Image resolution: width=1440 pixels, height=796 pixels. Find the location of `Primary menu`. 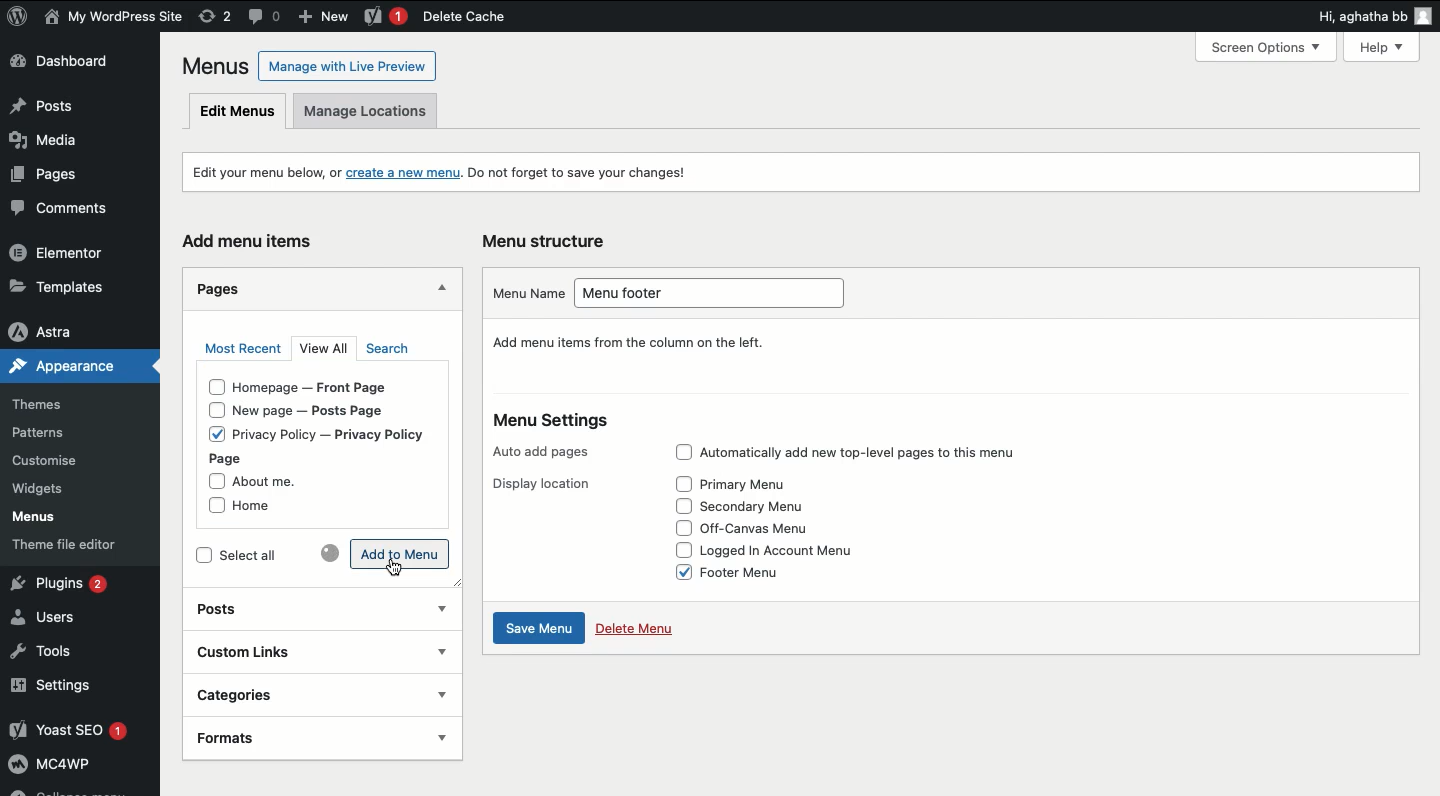

Primary menu is located at coordinates (754, 483).